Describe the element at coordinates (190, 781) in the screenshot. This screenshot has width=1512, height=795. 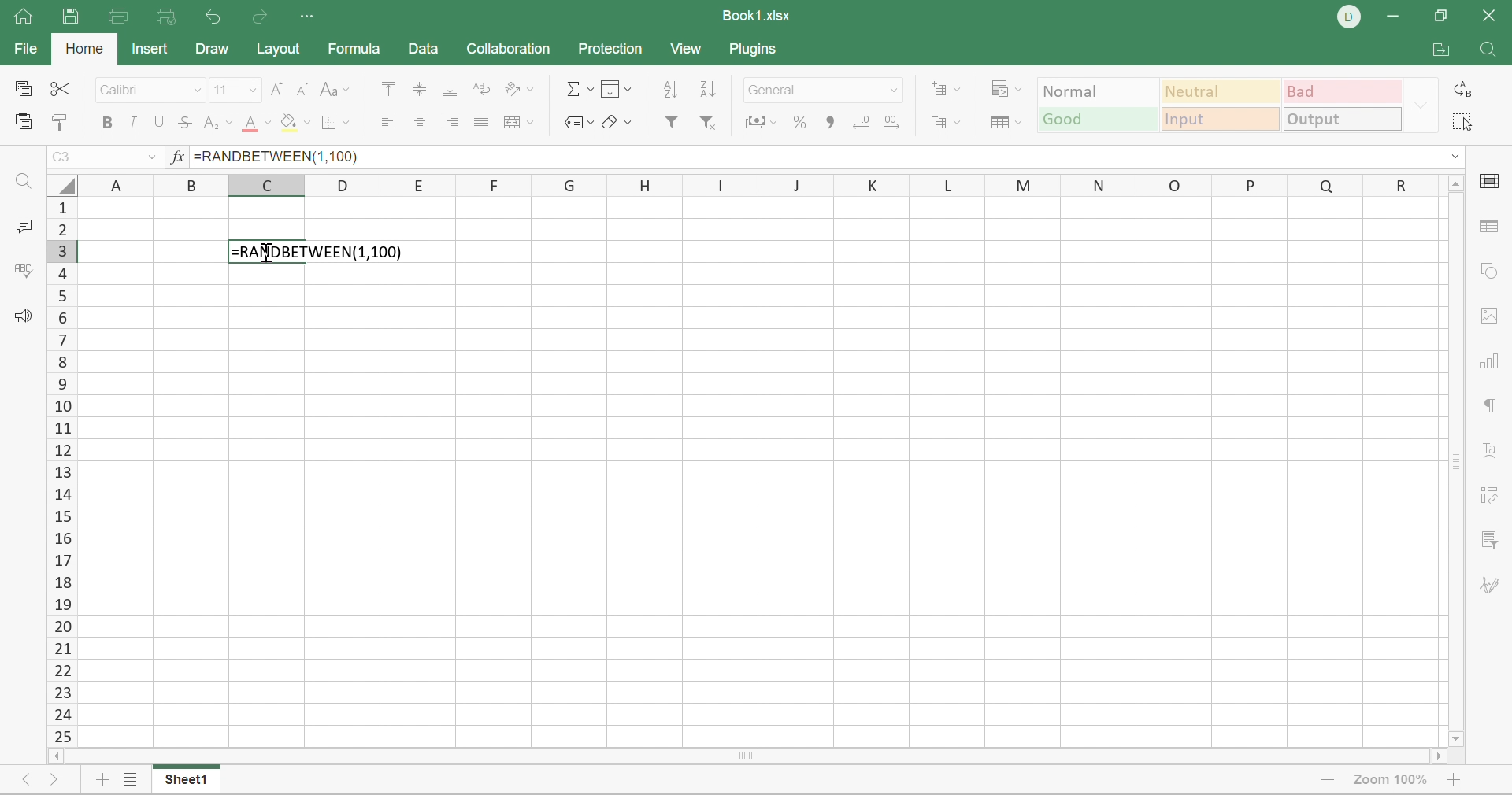
I see `Sheet1` at that location.